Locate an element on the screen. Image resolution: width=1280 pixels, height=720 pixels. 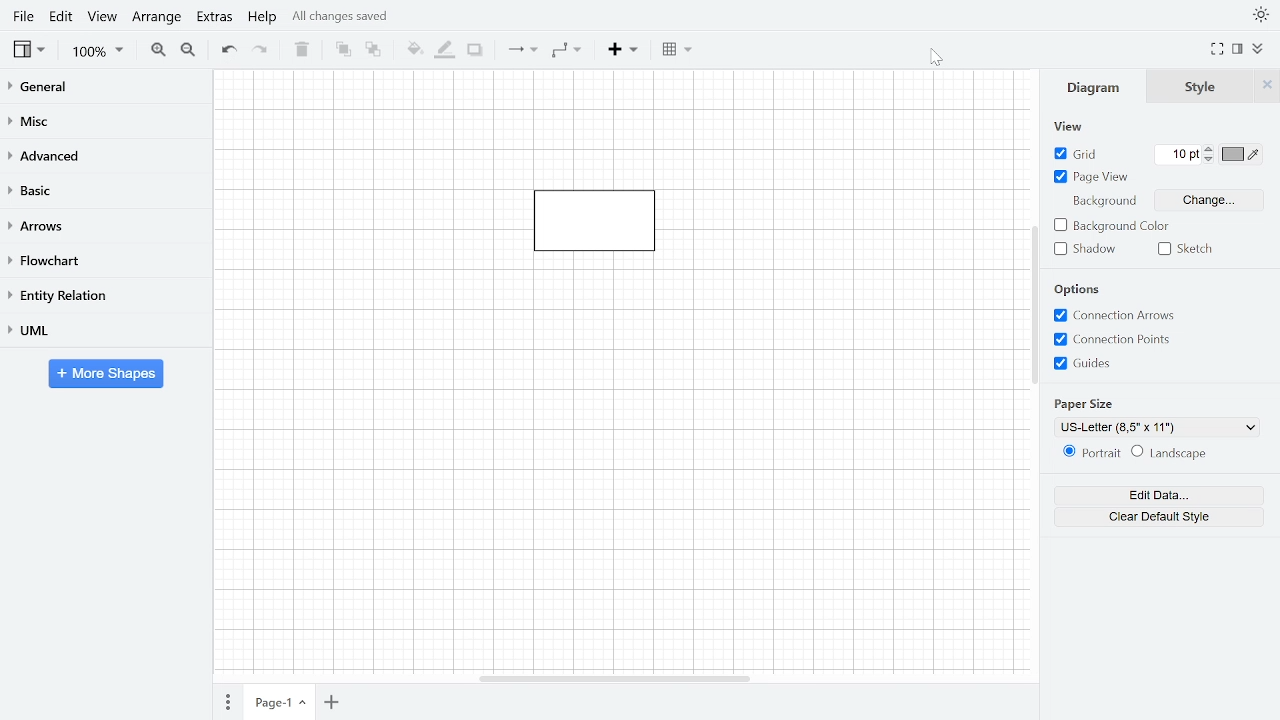
Current diagram is located at coordinates (608, 230).